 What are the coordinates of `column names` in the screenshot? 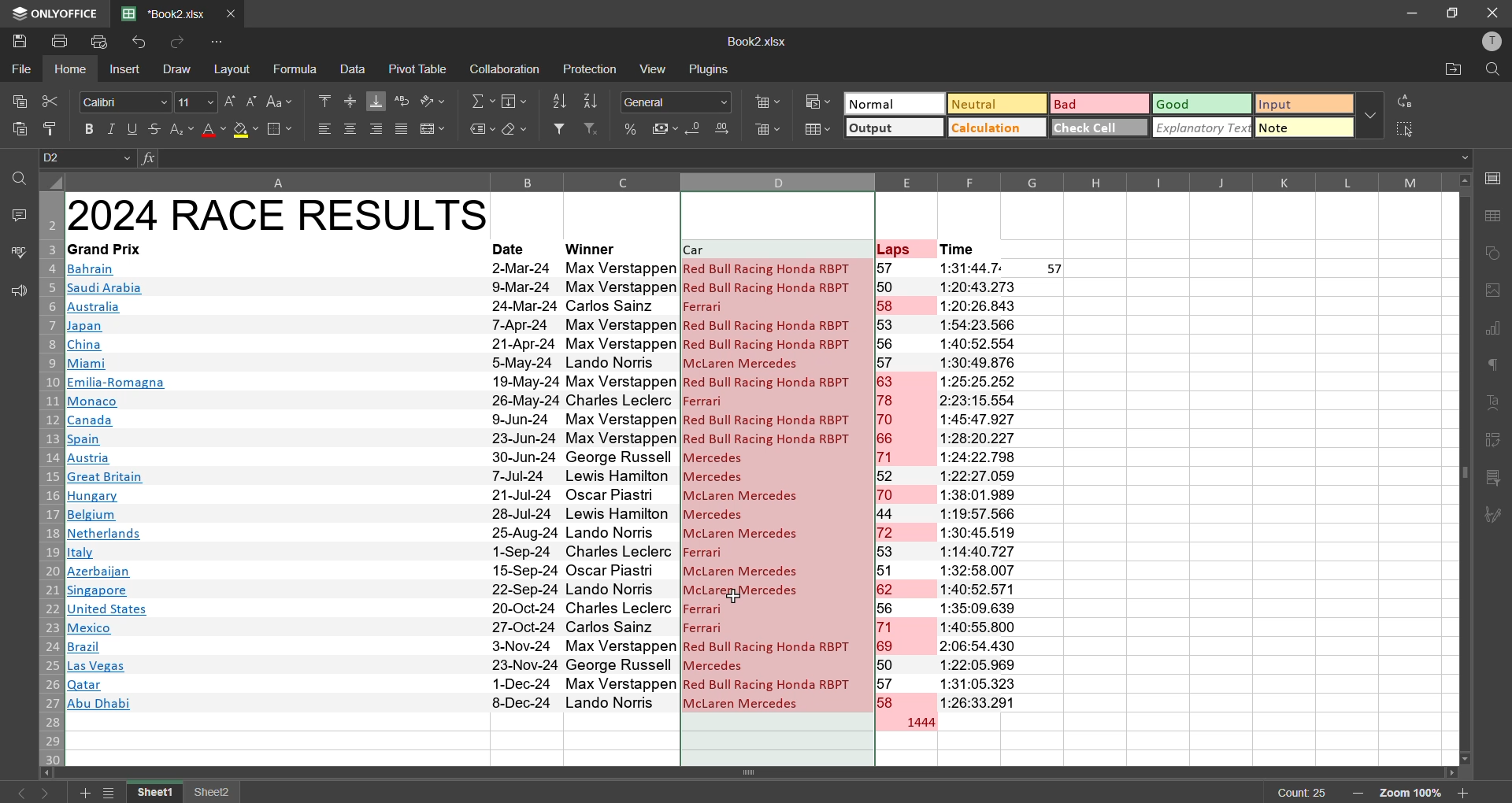 It's located at (758, 181).